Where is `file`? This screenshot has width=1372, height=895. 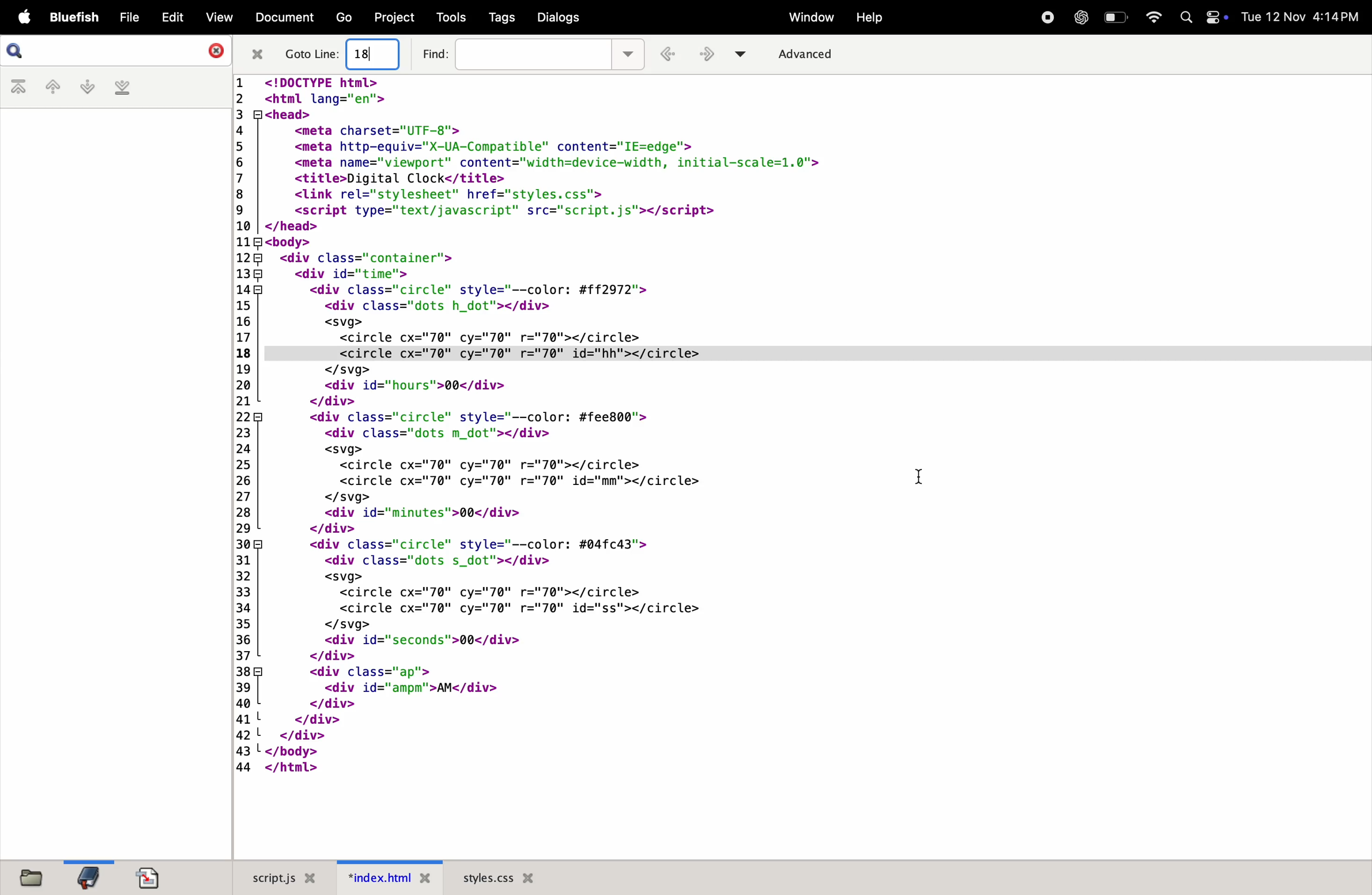
file is located at coordinates (125, 18).